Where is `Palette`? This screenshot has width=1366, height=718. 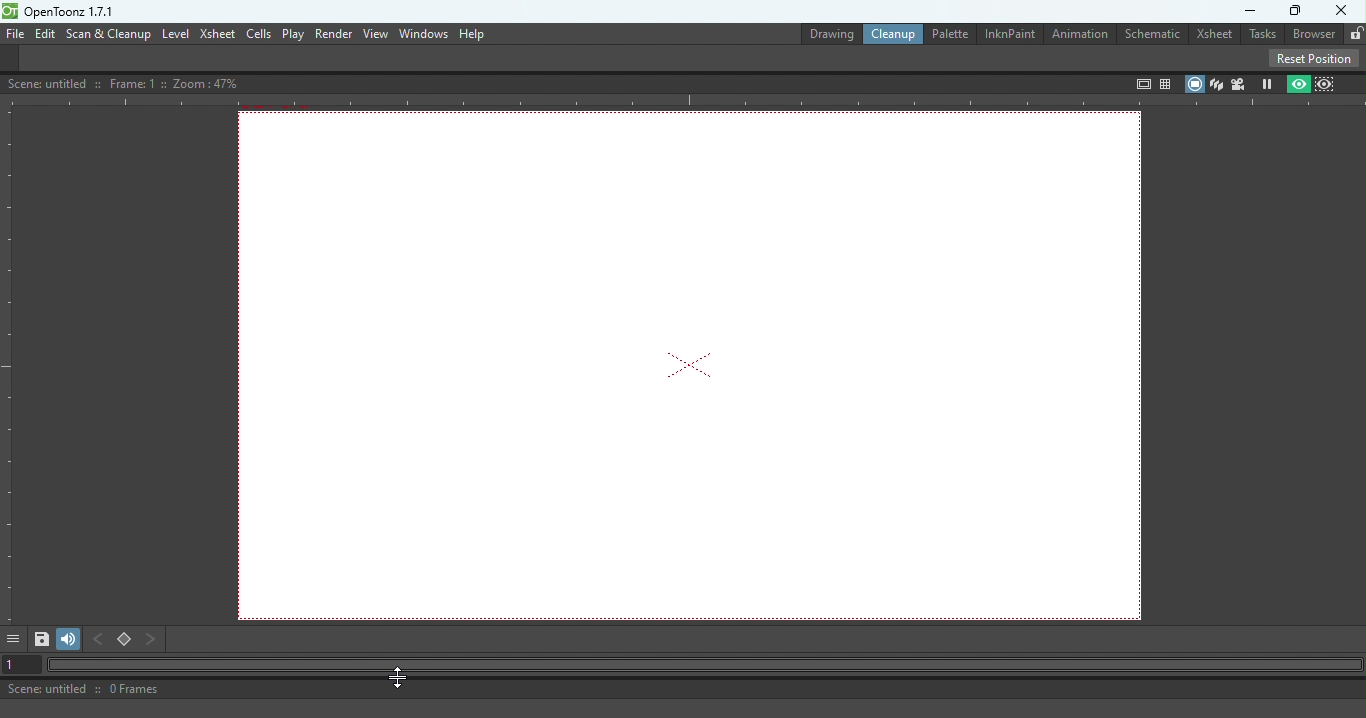 Palette is located at coordinates (948, 33).